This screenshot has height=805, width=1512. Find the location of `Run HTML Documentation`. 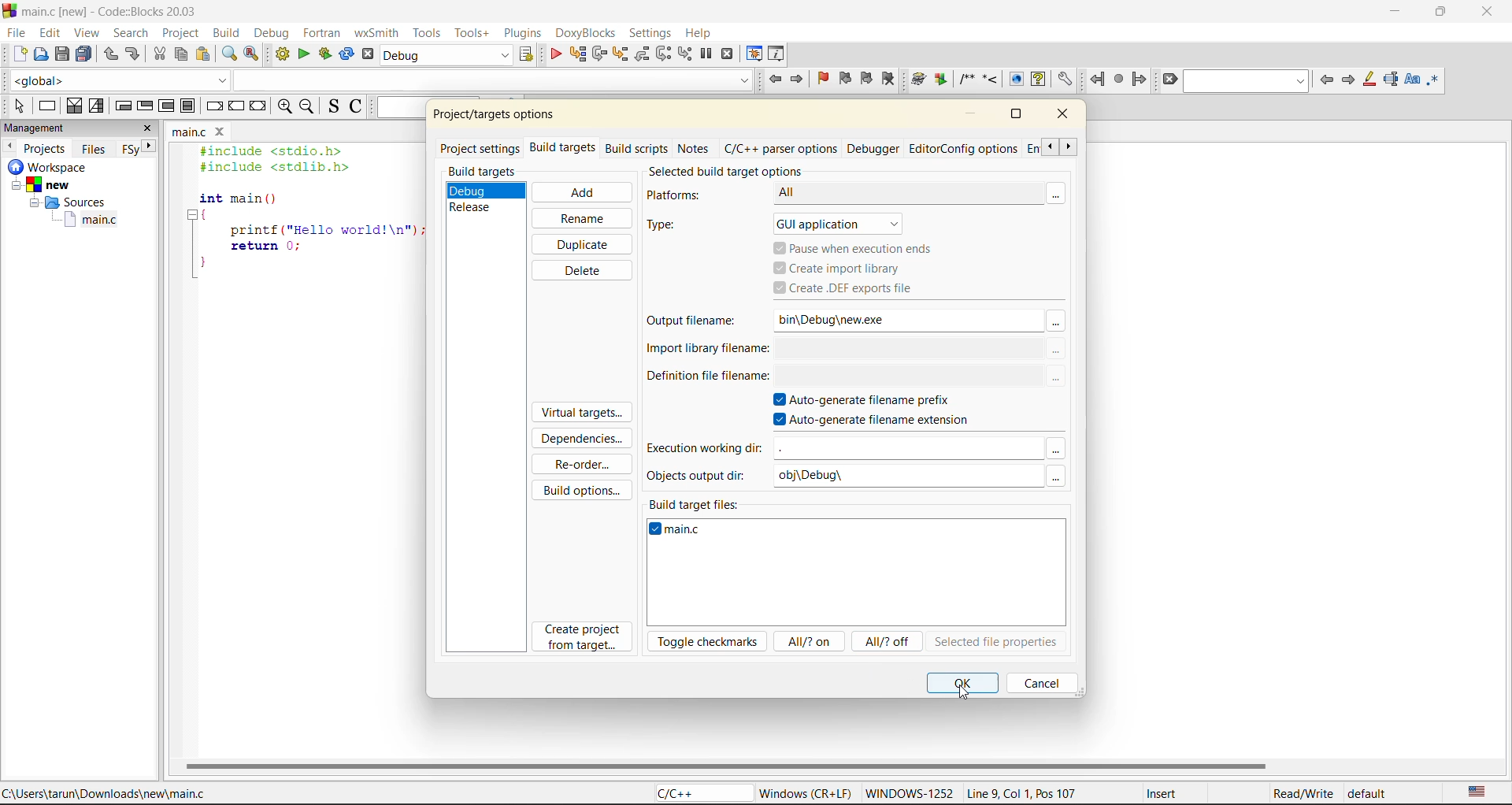

Run HTML Documentation is located at coordinates (1016, 78).